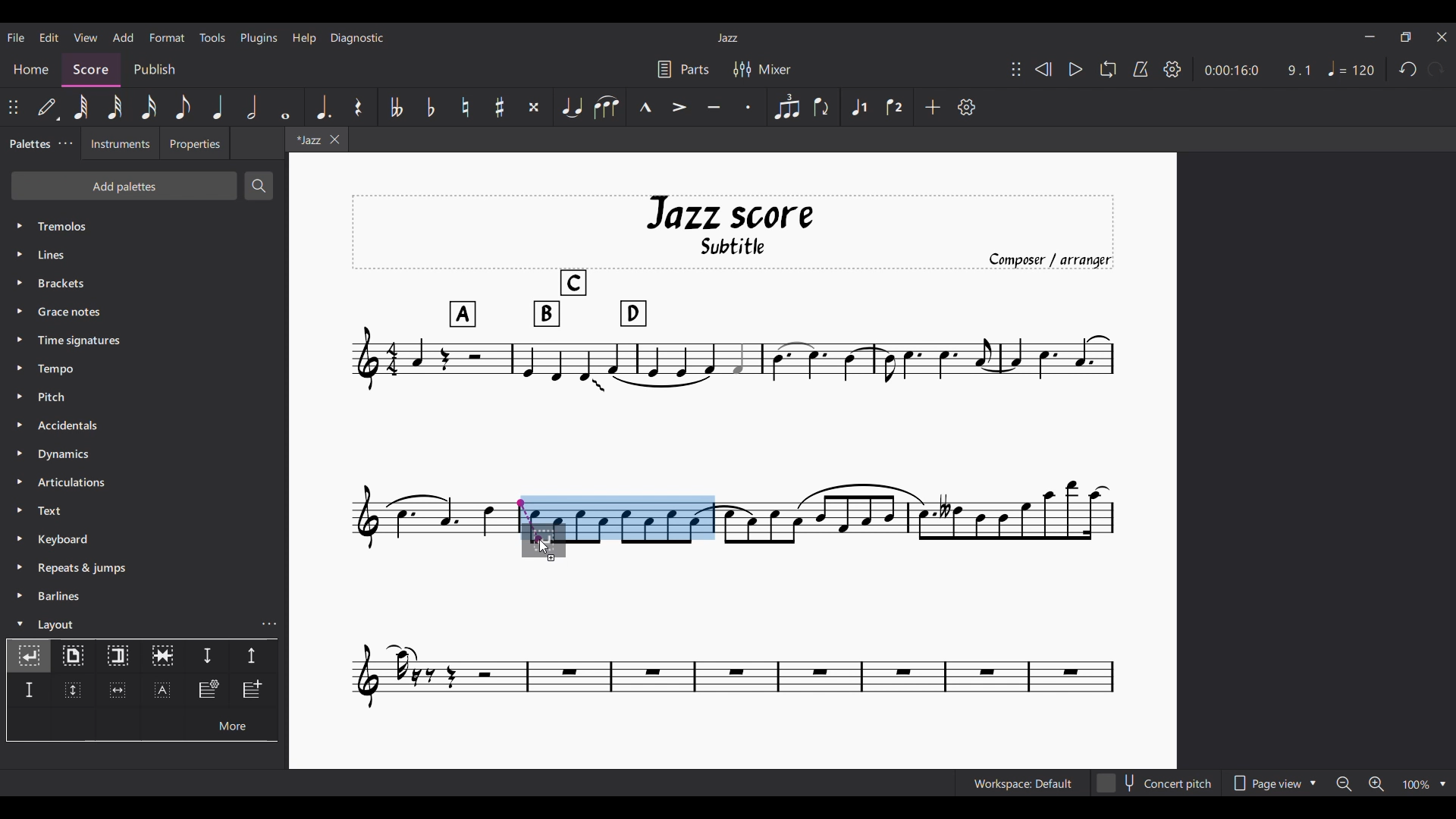 The image size is (1456, 819). What do you see at coordinates (16, 38) in the screenshot?
I see `File menu ` at bounding box center [16, 38].